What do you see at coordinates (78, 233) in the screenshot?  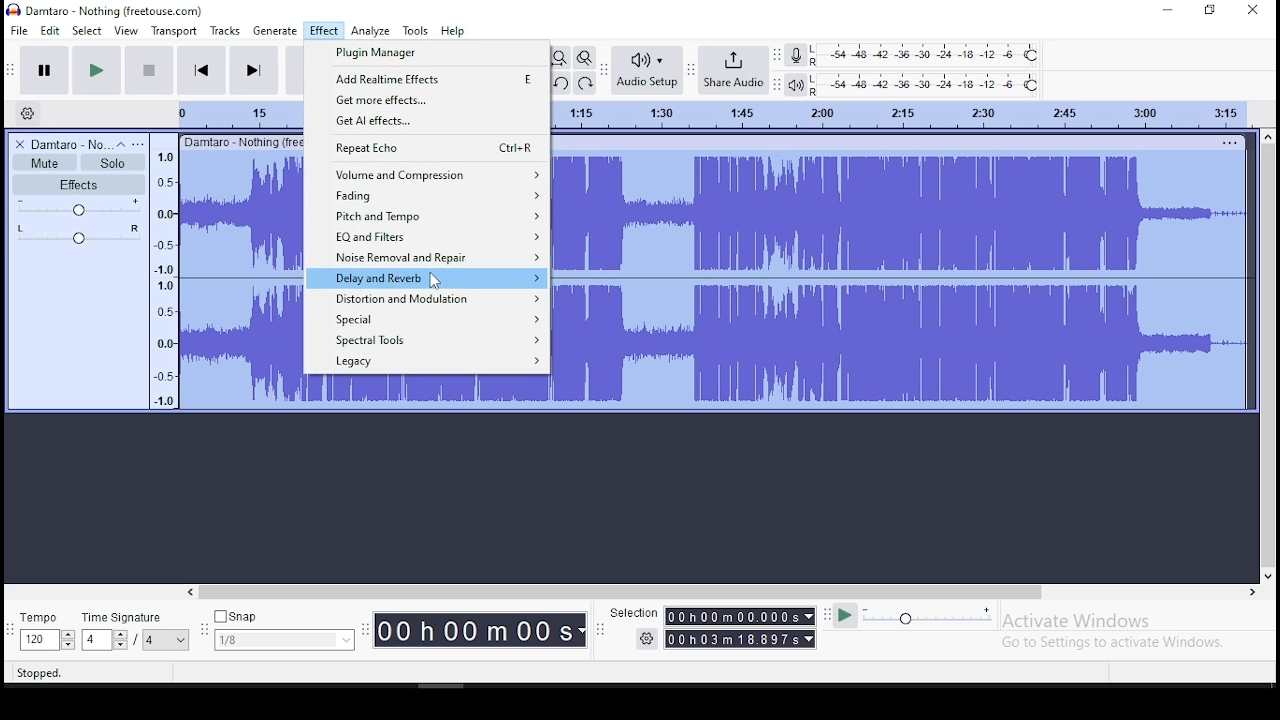 I see `pan` at bounding box center [78, 233].